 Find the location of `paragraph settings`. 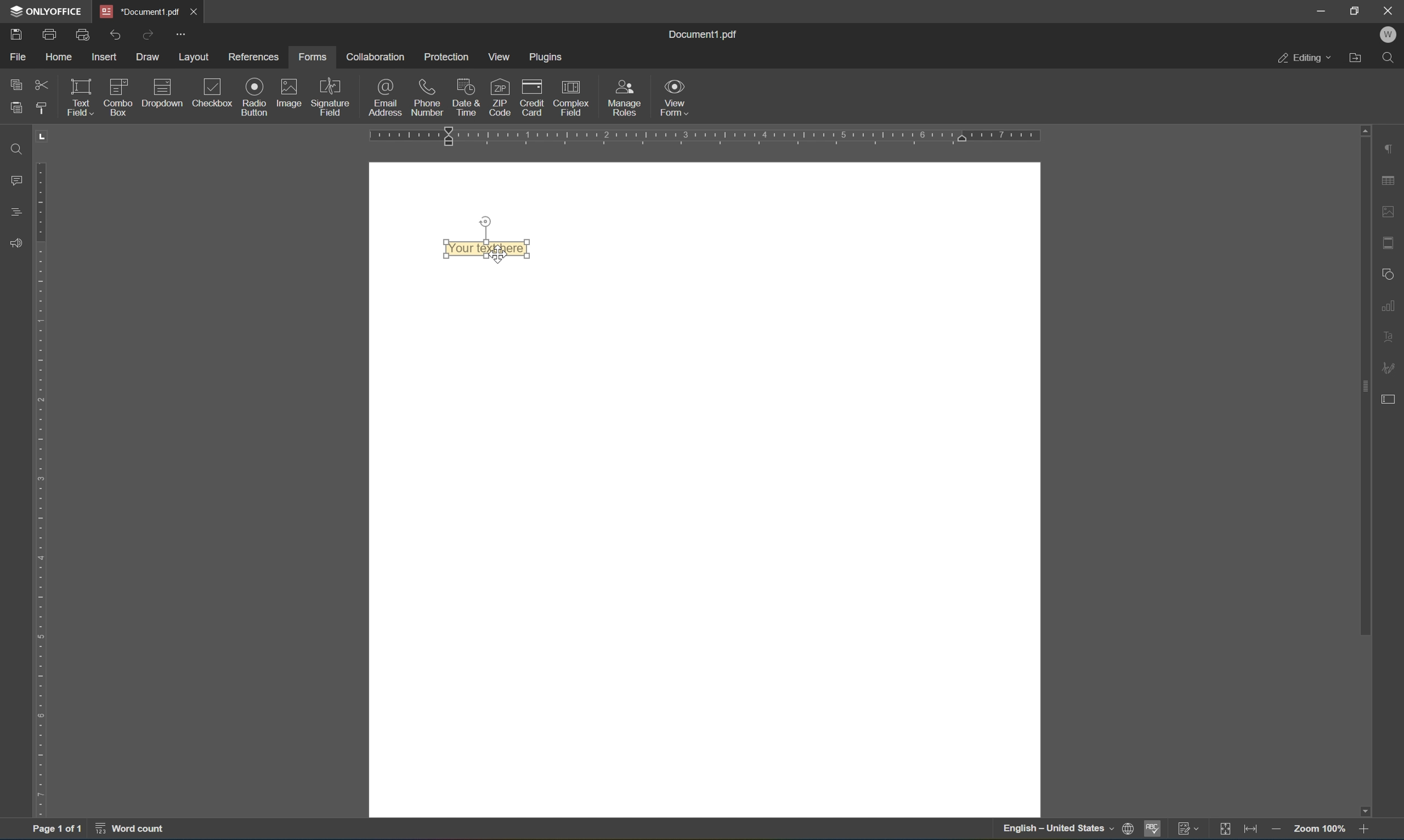

paragraph settings is located at coordinates (1389, 146).